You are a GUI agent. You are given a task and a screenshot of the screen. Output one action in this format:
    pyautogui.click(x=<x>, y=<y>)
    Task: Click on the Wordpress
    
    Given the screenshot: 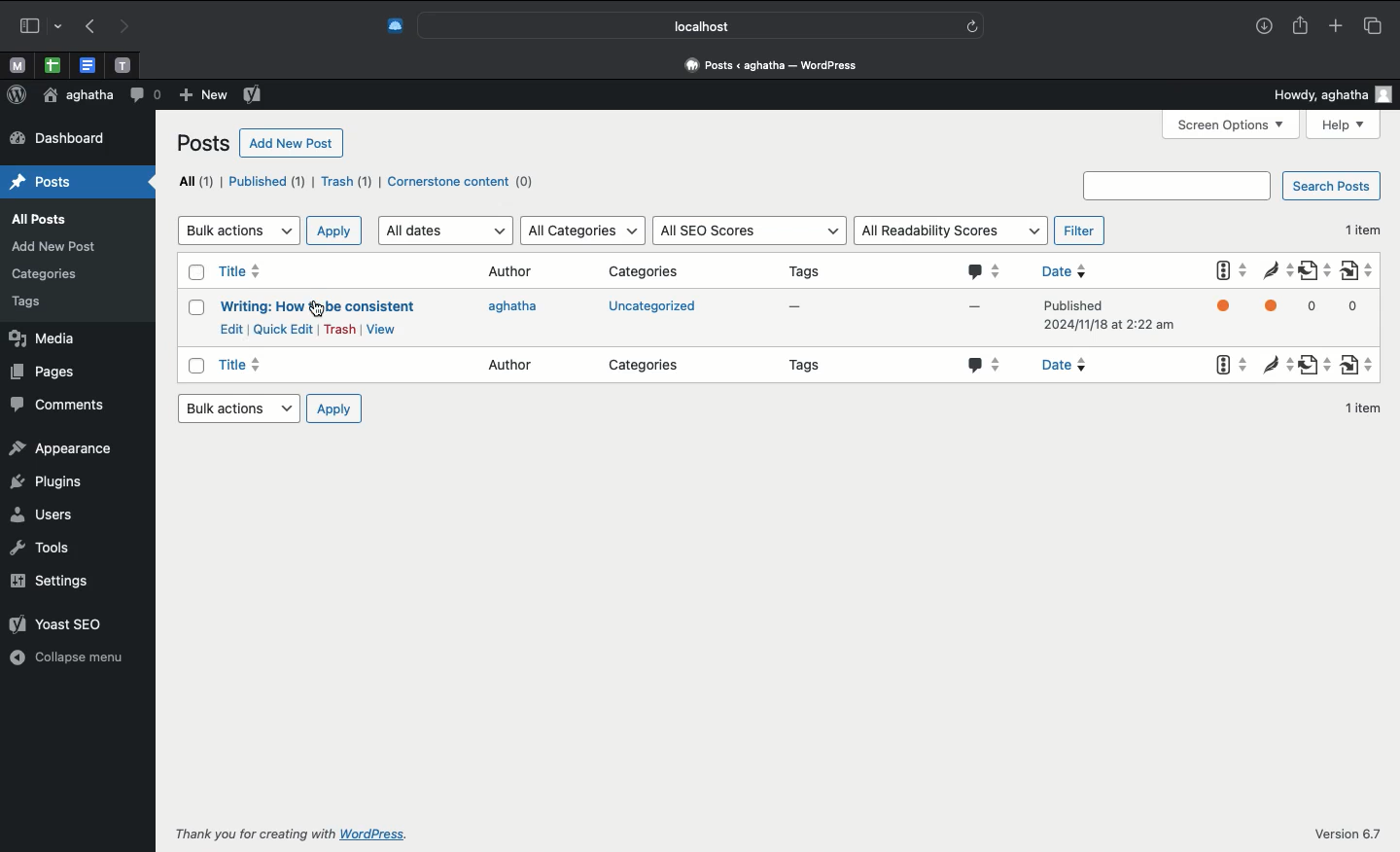 What is the action you would take?
    pyautogui.click(x=17, y=94)
    